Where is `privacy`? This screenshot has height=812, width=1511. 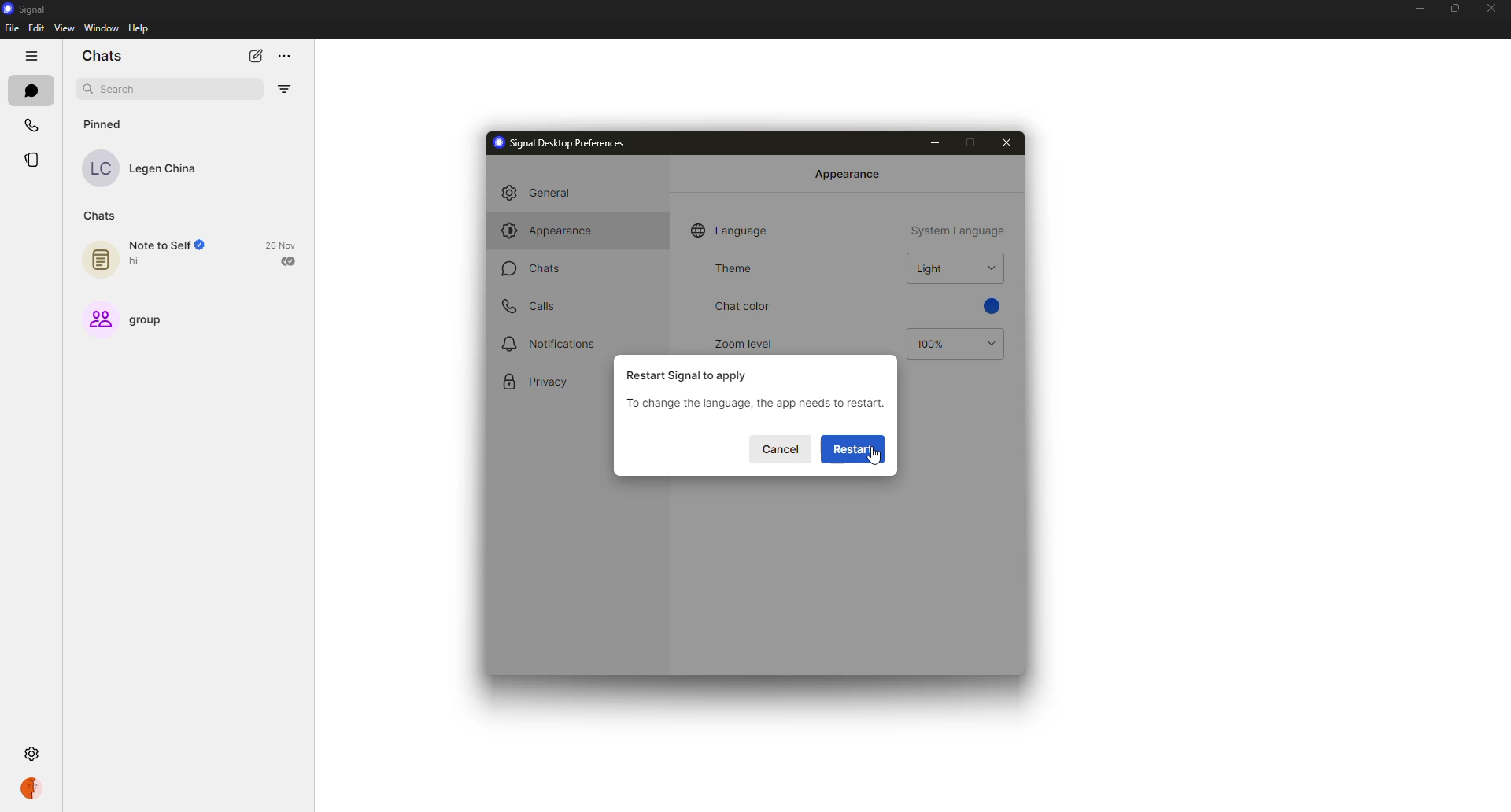
privacy is located at coordinates (534, 382).